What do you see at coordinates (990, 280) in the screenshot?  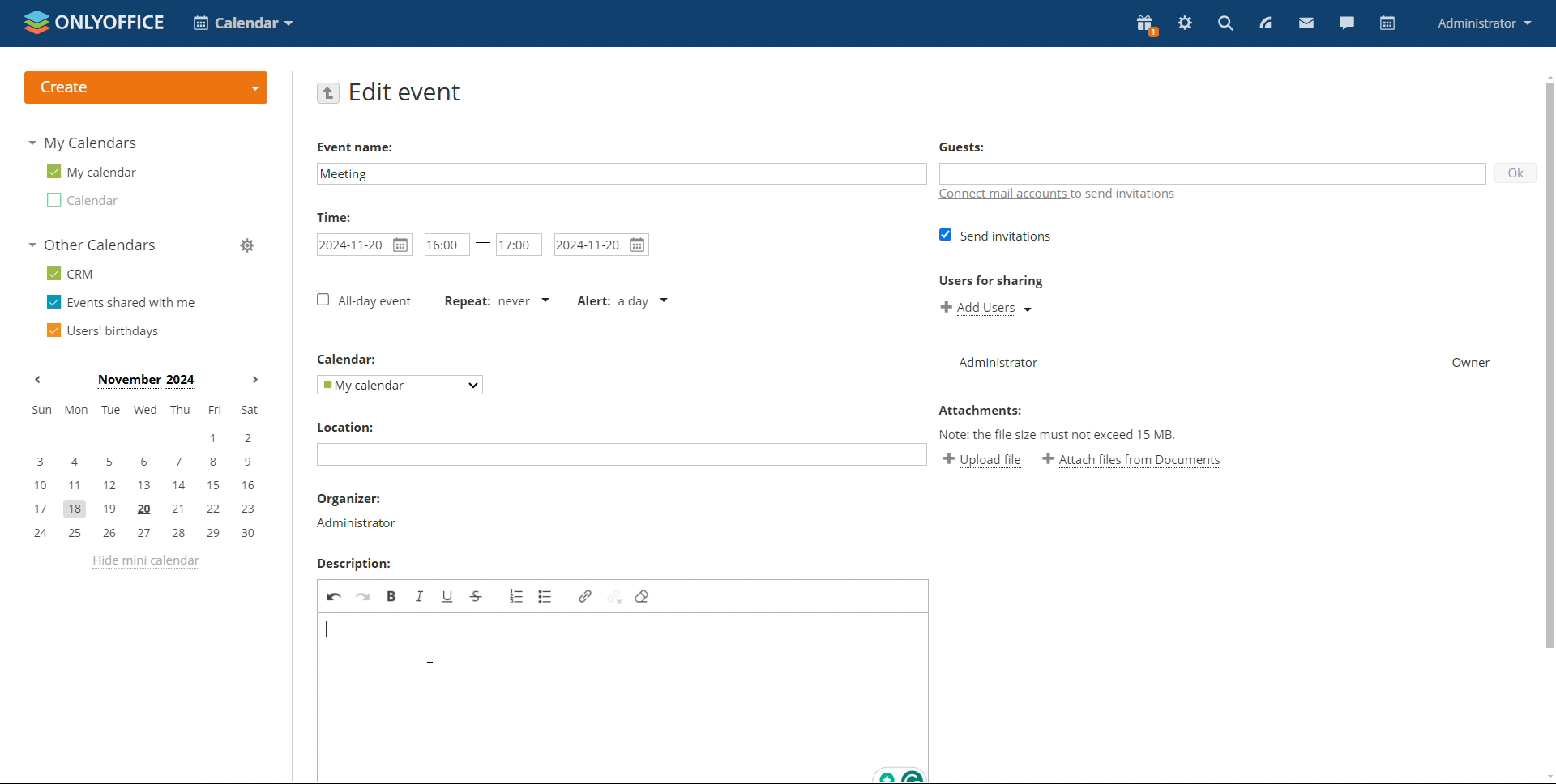 I see `users for sharing` at bounding box center [990, 280].